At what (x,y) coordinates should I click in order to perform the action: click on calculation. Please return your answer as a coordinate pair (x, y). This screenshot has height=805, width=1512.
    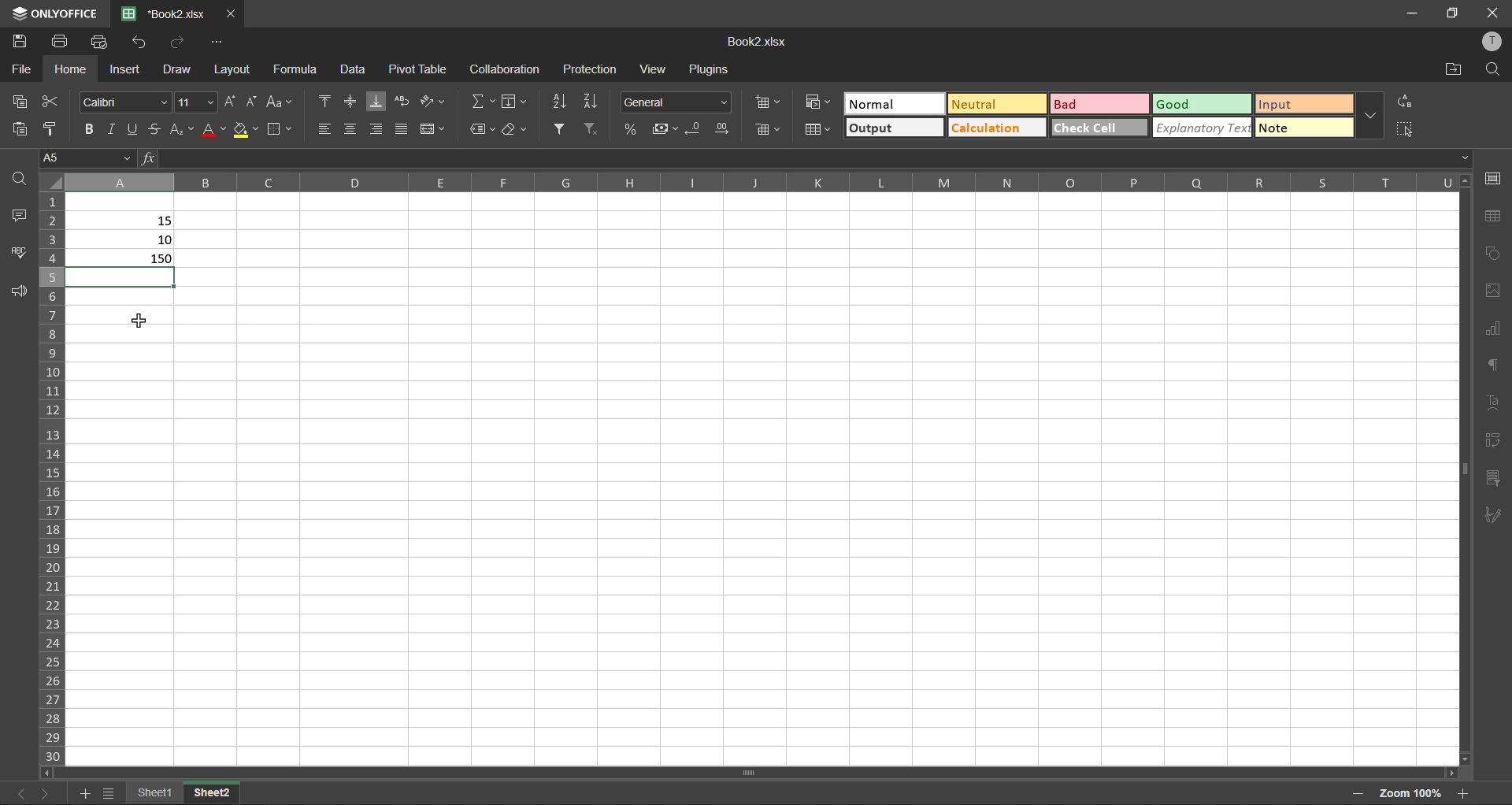
    Looking at the image, I should click on (995, 127).